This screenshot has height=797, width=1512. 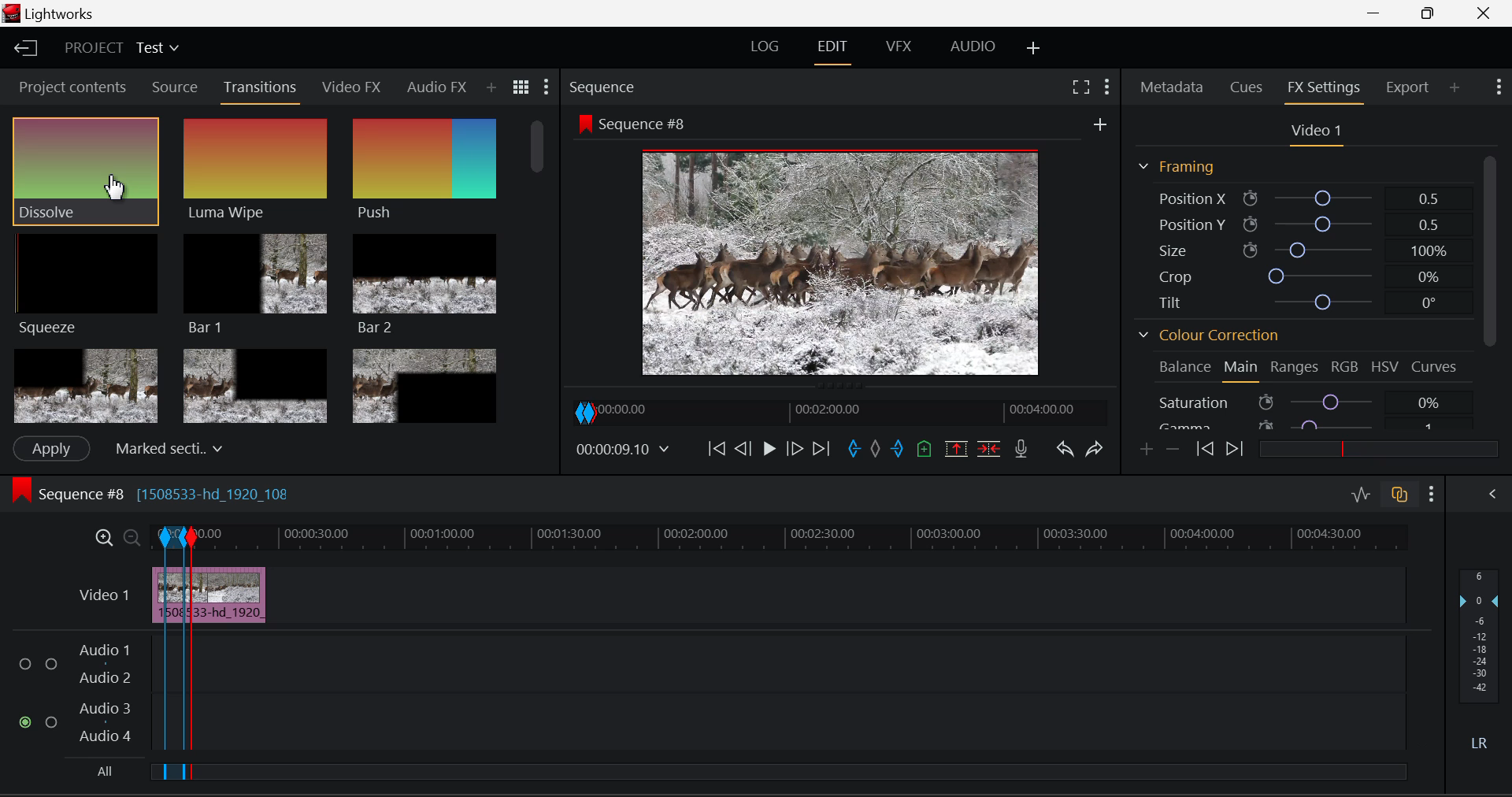 What do you see at coordinates (1107, 87) in the screenshot?
I see `Show Settings` at bounding box center [1107, 87].